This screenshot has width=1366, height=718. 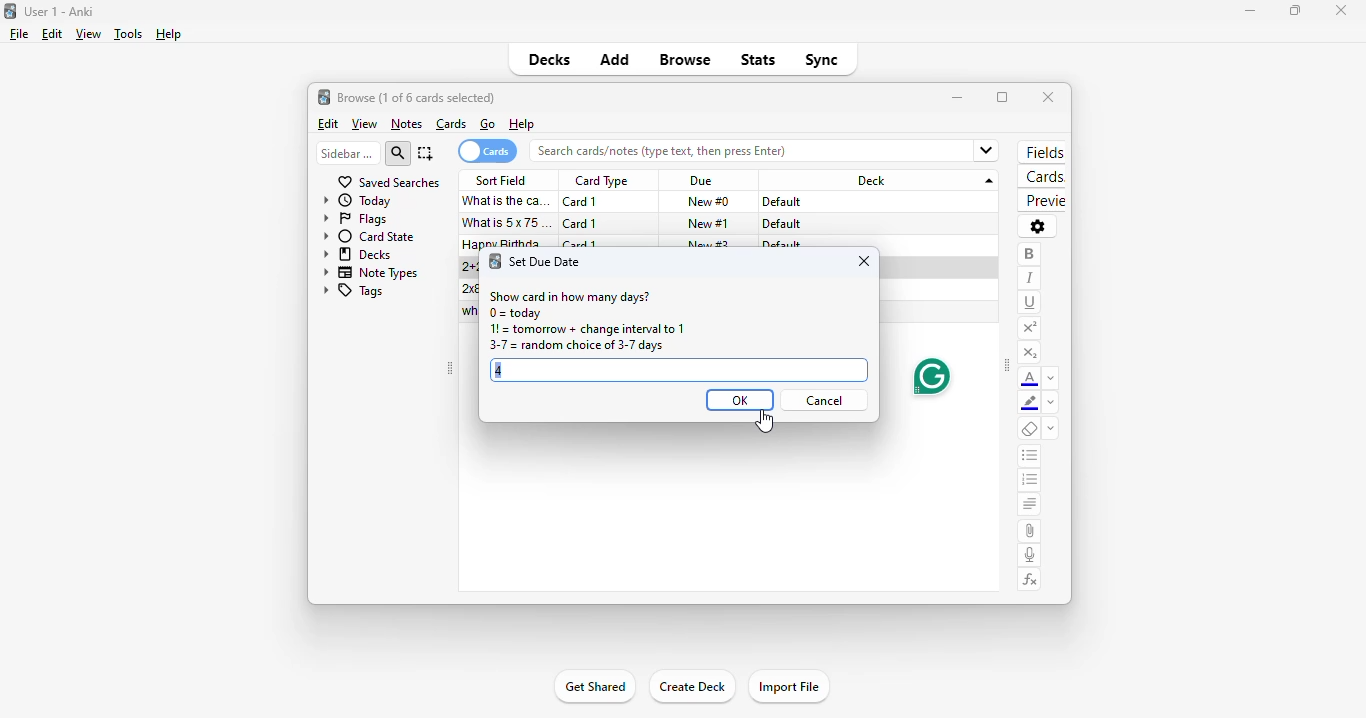 What do you see at coordinates (358, 254) in the screenshot?
I see `decks` at bounding box center [358, 254].